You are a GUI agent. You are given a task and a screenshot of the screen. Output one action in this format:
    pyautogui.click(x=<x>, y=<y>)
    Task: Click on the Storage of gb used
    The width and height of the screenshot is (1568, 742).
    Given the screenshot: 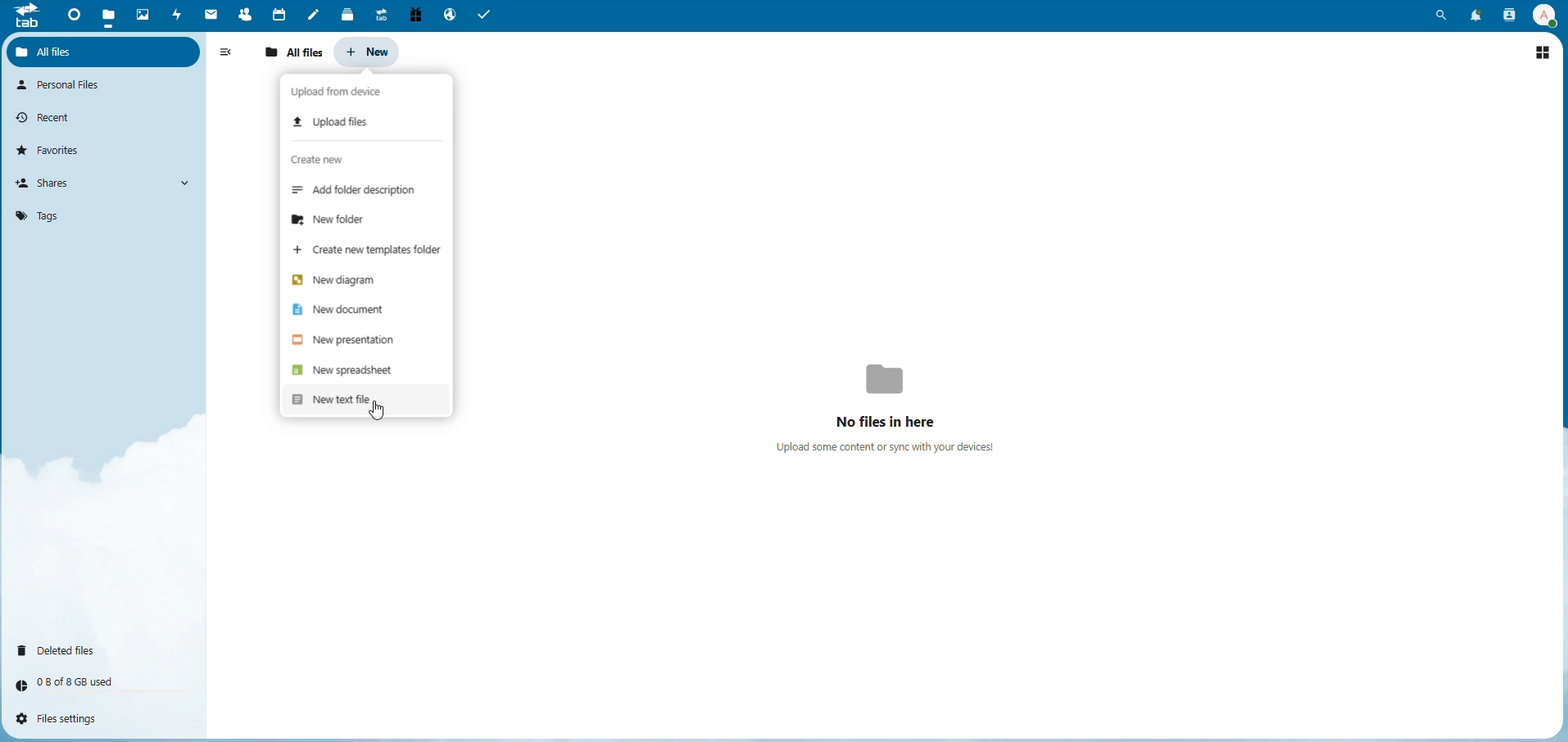 What is the action you would take?
    pyautogui.click(x=79, y=681)
    